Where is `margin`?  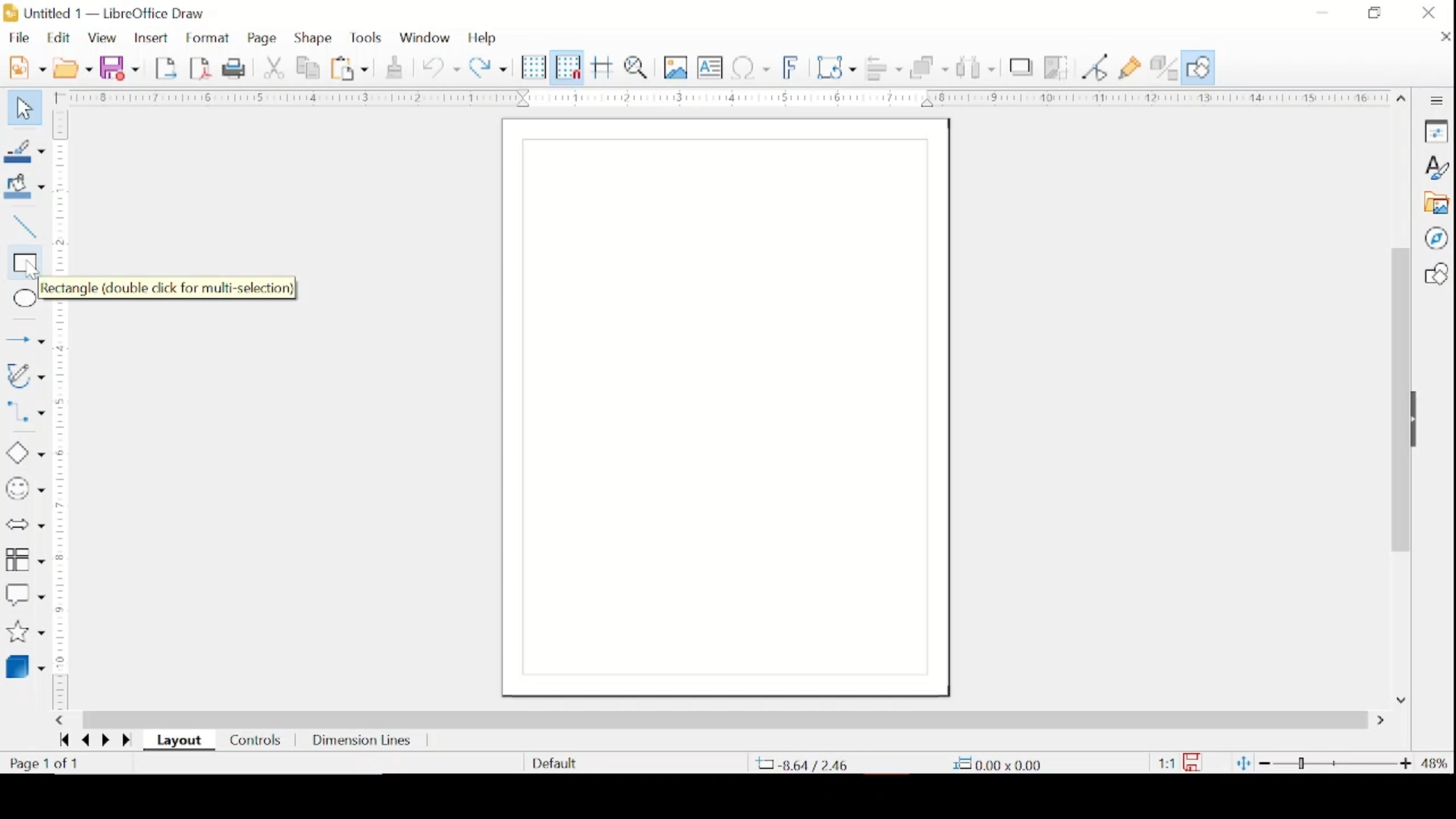 margin is located at coordinates (61, 409).